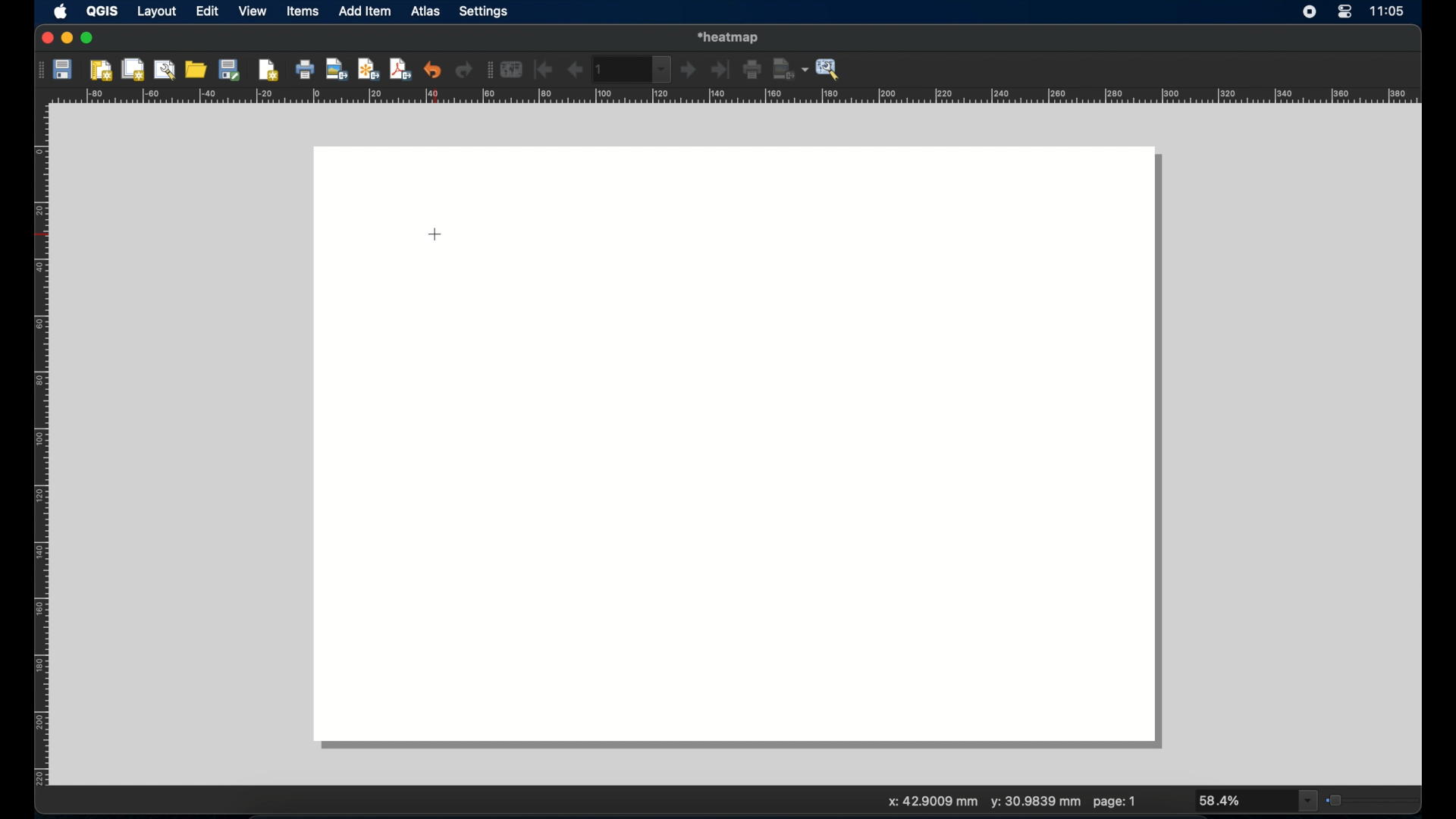 The image size is (1456, 819). I want to click on atlas toolbar, so click(633, 69).